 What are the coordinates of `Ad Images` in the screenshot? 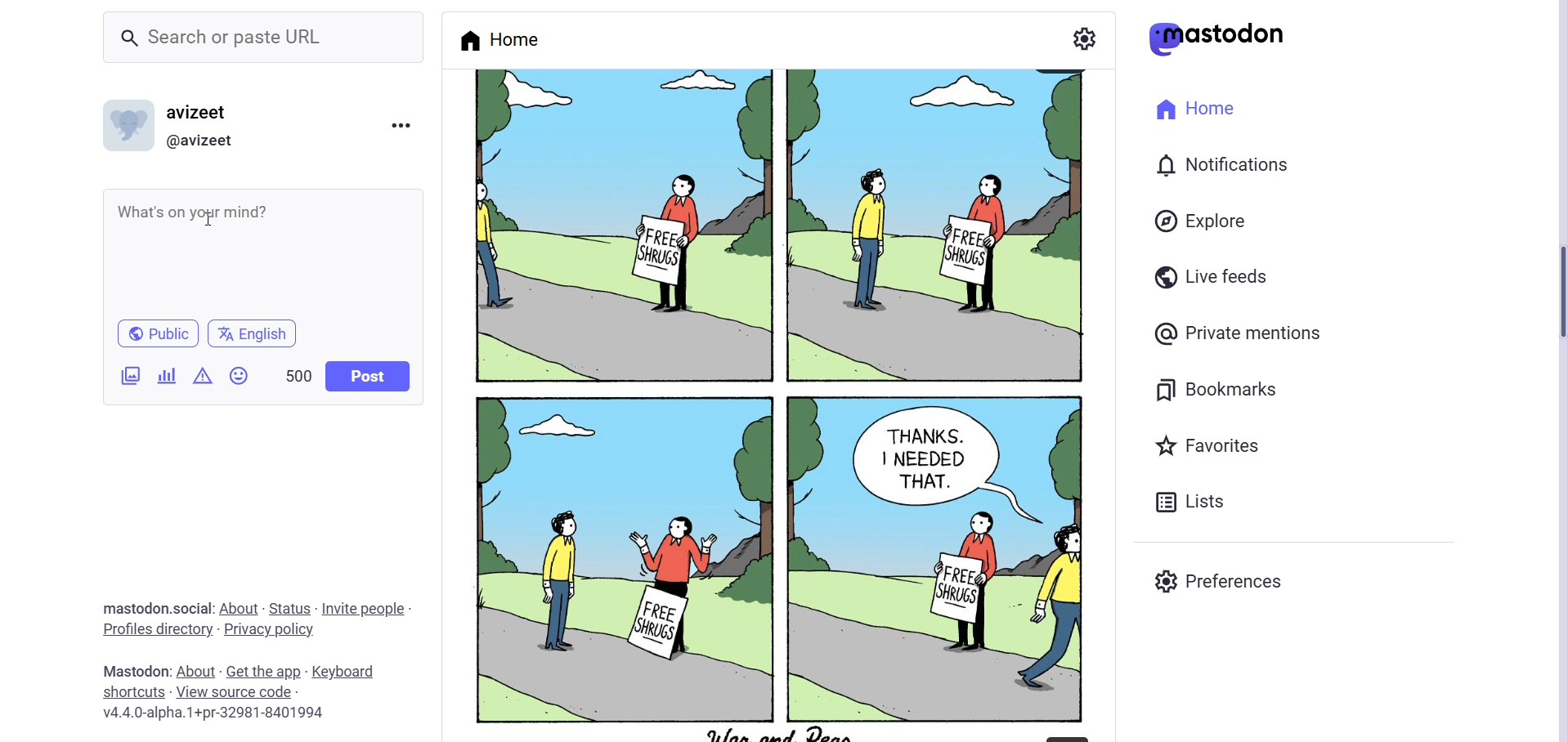 It's located at (132, 376).